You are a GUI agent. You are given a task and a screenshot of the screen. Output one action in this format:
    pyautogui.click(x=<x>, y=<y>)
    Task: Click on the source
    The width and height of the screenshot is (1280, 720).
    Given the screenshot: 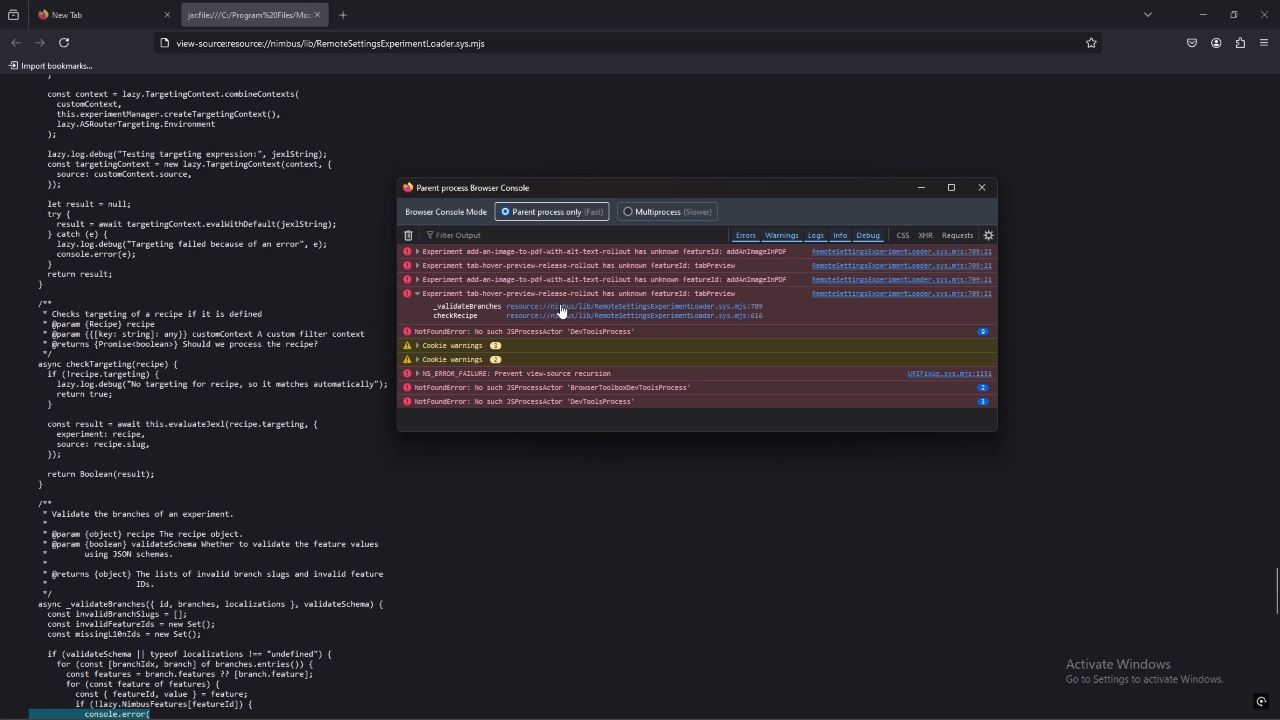 What is the action you would take?
    pyautogui.click(x=896, y=292)
    